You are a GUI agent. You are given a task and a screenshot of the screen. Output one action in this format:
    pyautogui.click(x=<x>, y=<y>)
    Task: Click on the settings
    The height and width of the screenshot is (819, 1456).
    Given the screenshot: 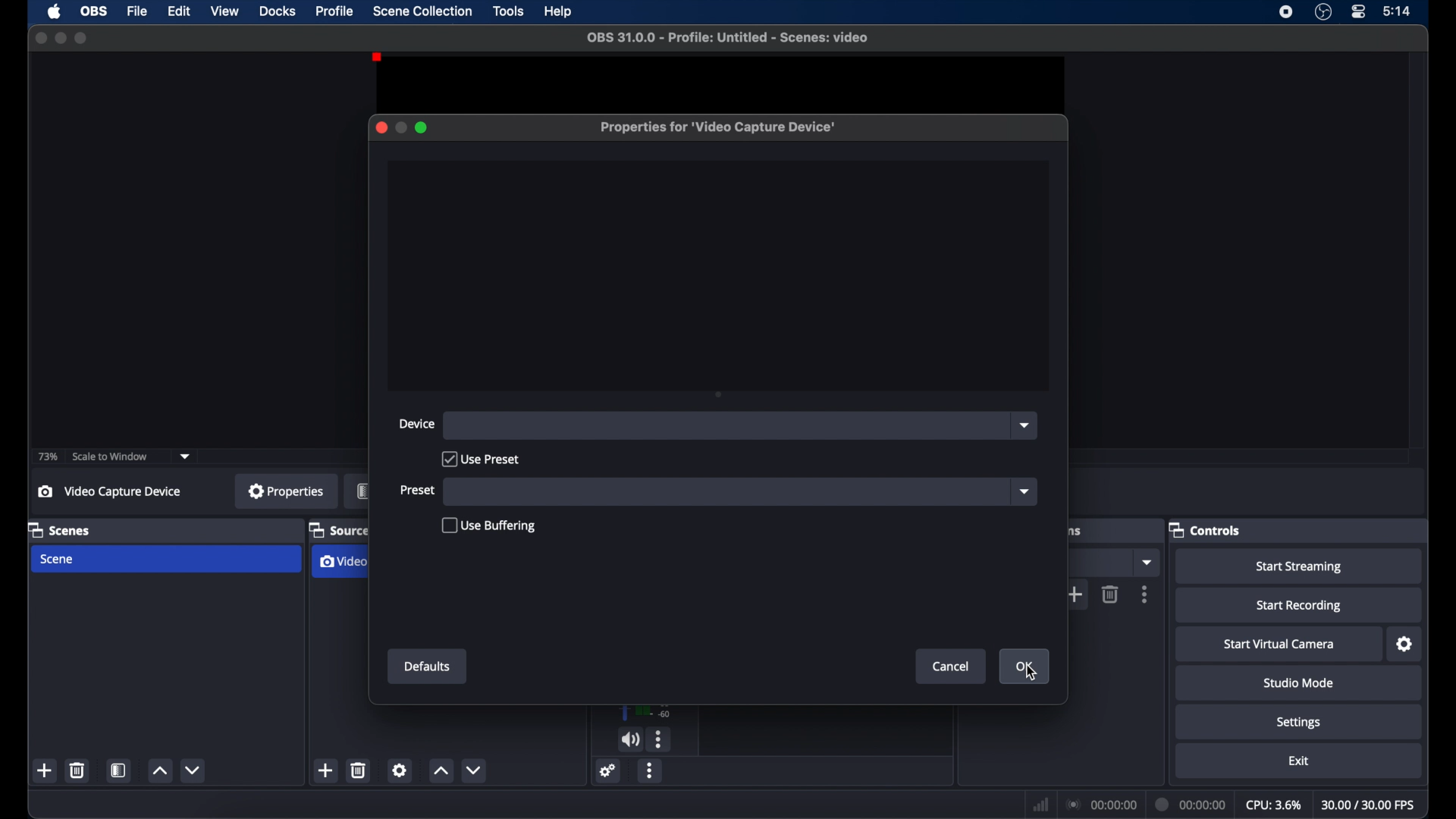 What is the action you would take?
    pyautogui.click(x=607, y=770)
    